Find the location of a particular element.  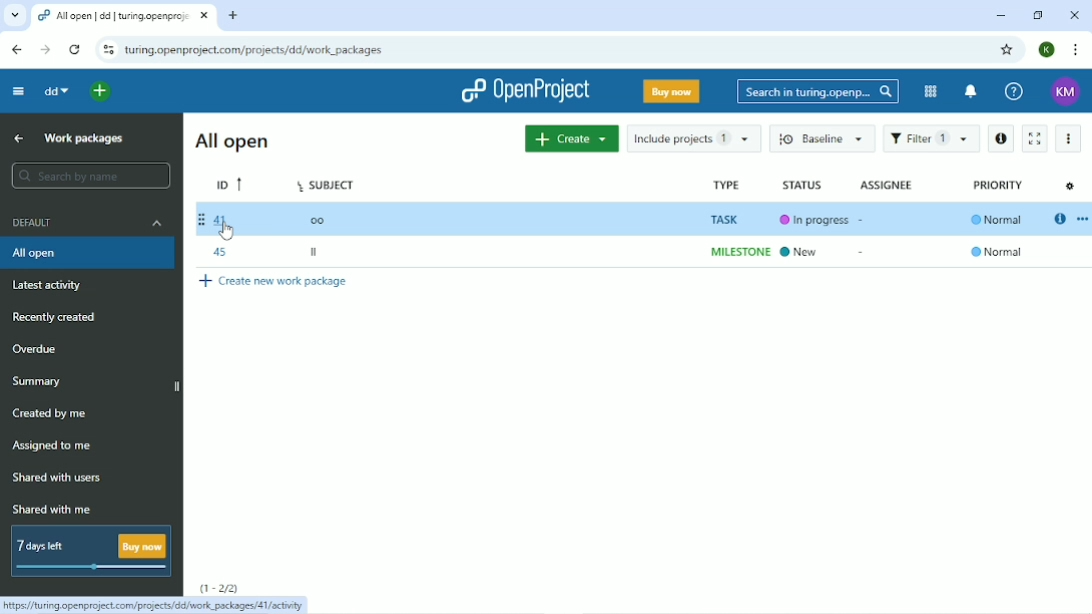

Reload this page is located at coordinates (76, 49).